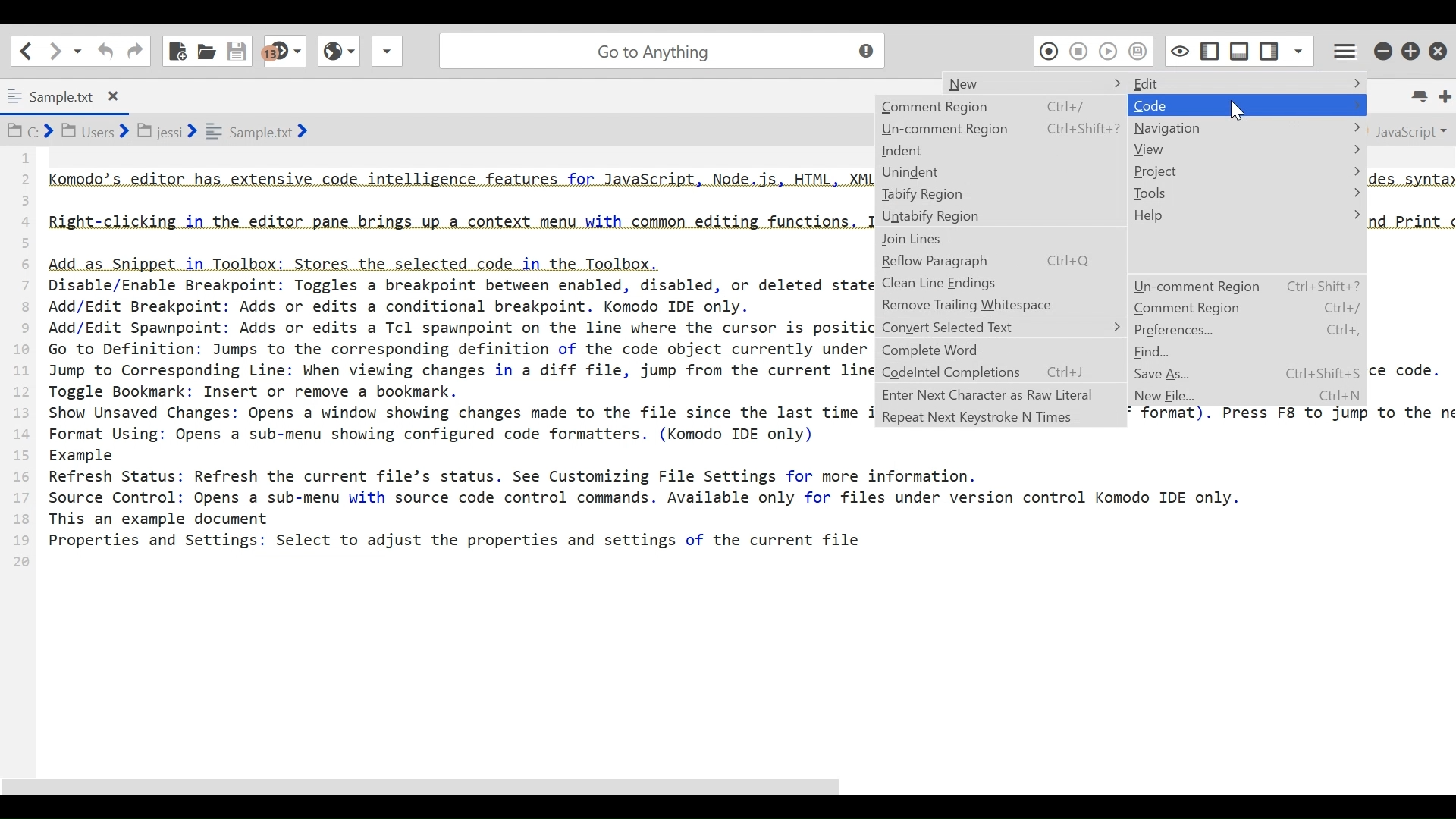 The height and width of the screenshot is (819, 1456). I want to click on View , so click(1245, 149).